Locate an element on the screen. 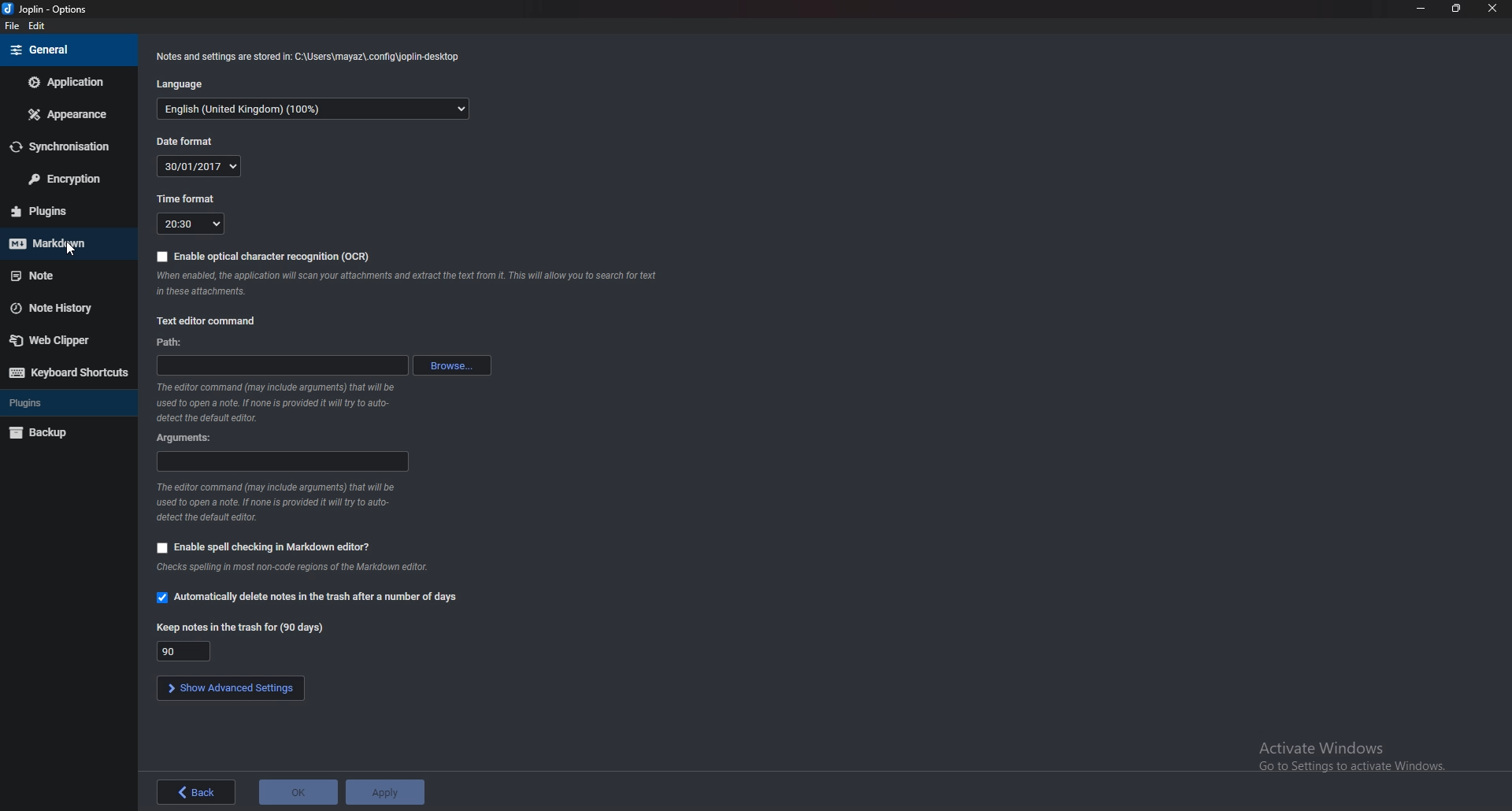 The image size is (1512, 811). note is located at coordinates (62, 276).